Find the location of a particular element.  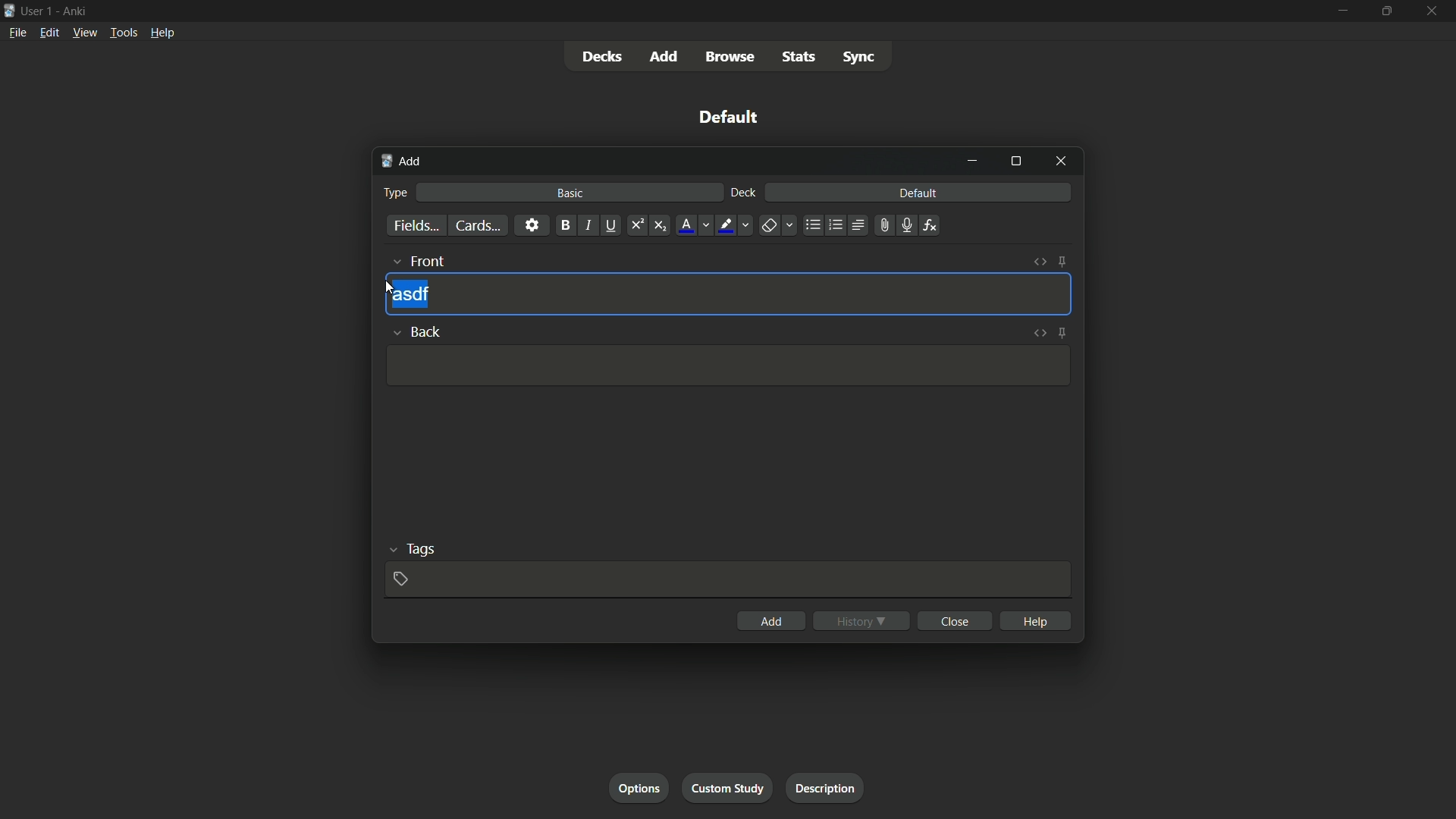

cursor is located at coordinates (389, 287).